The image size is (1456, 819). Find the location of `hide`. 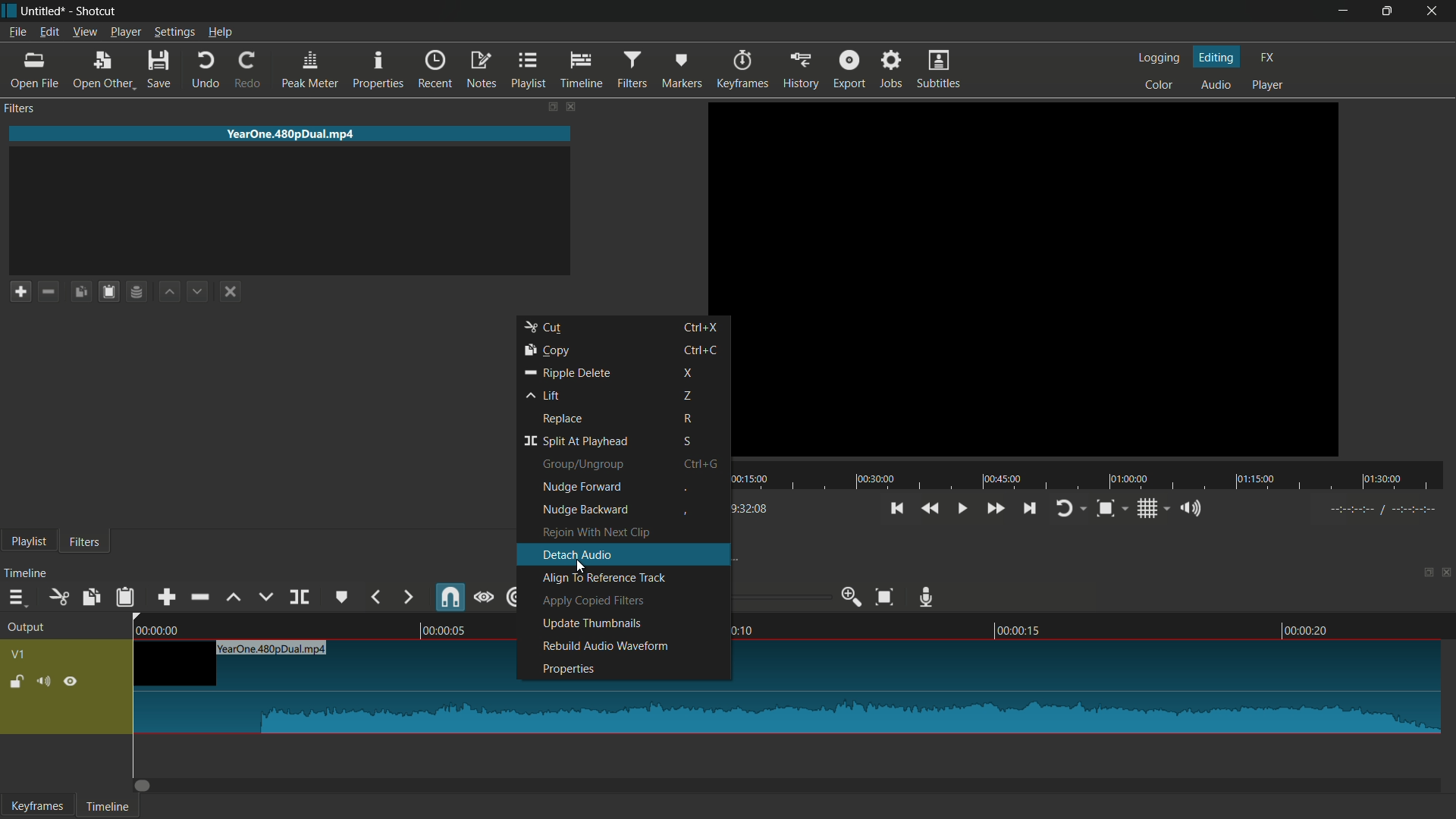

hide is located at coordinates (72, 683).